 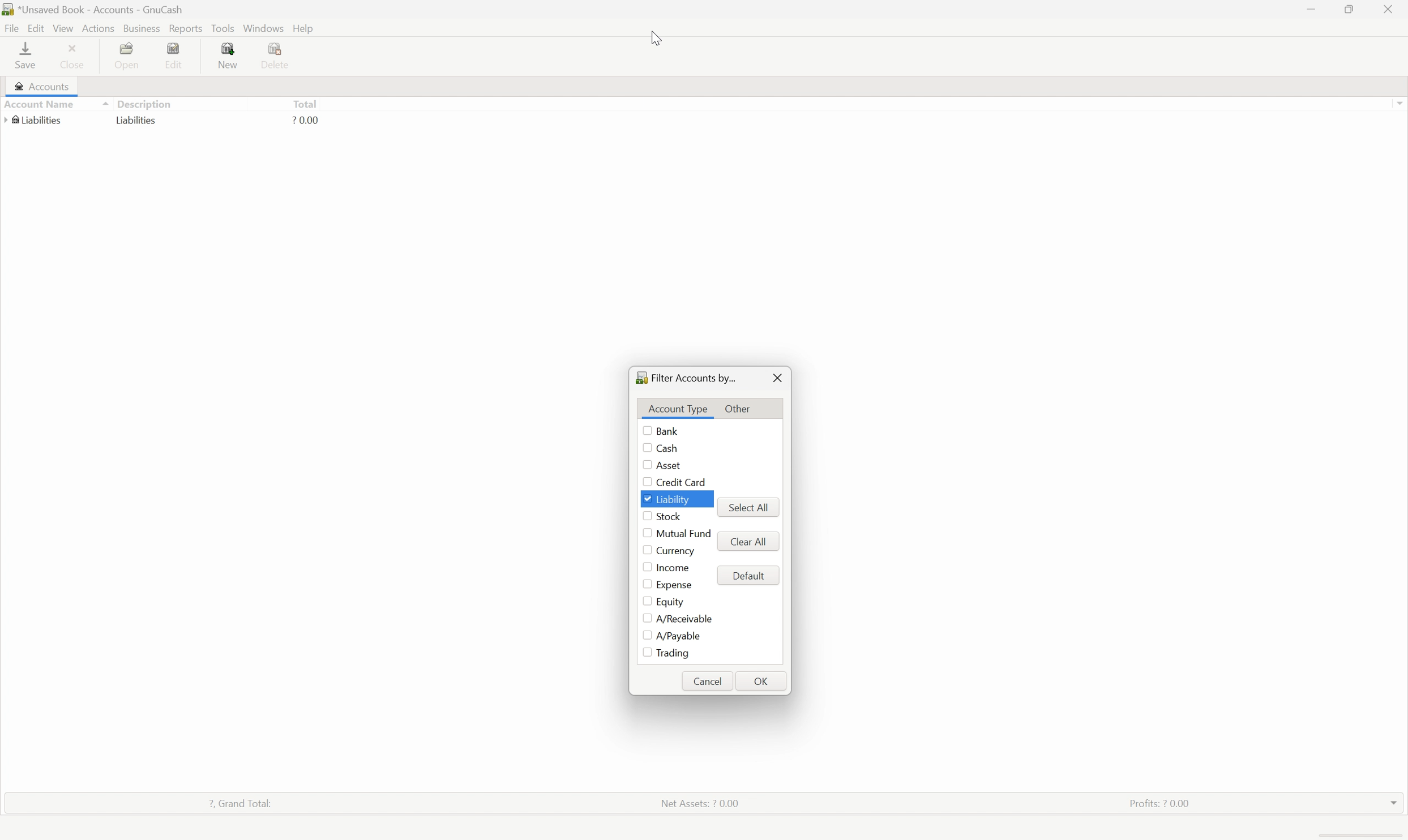 I want to click on Close, so click(x=779, y=378).